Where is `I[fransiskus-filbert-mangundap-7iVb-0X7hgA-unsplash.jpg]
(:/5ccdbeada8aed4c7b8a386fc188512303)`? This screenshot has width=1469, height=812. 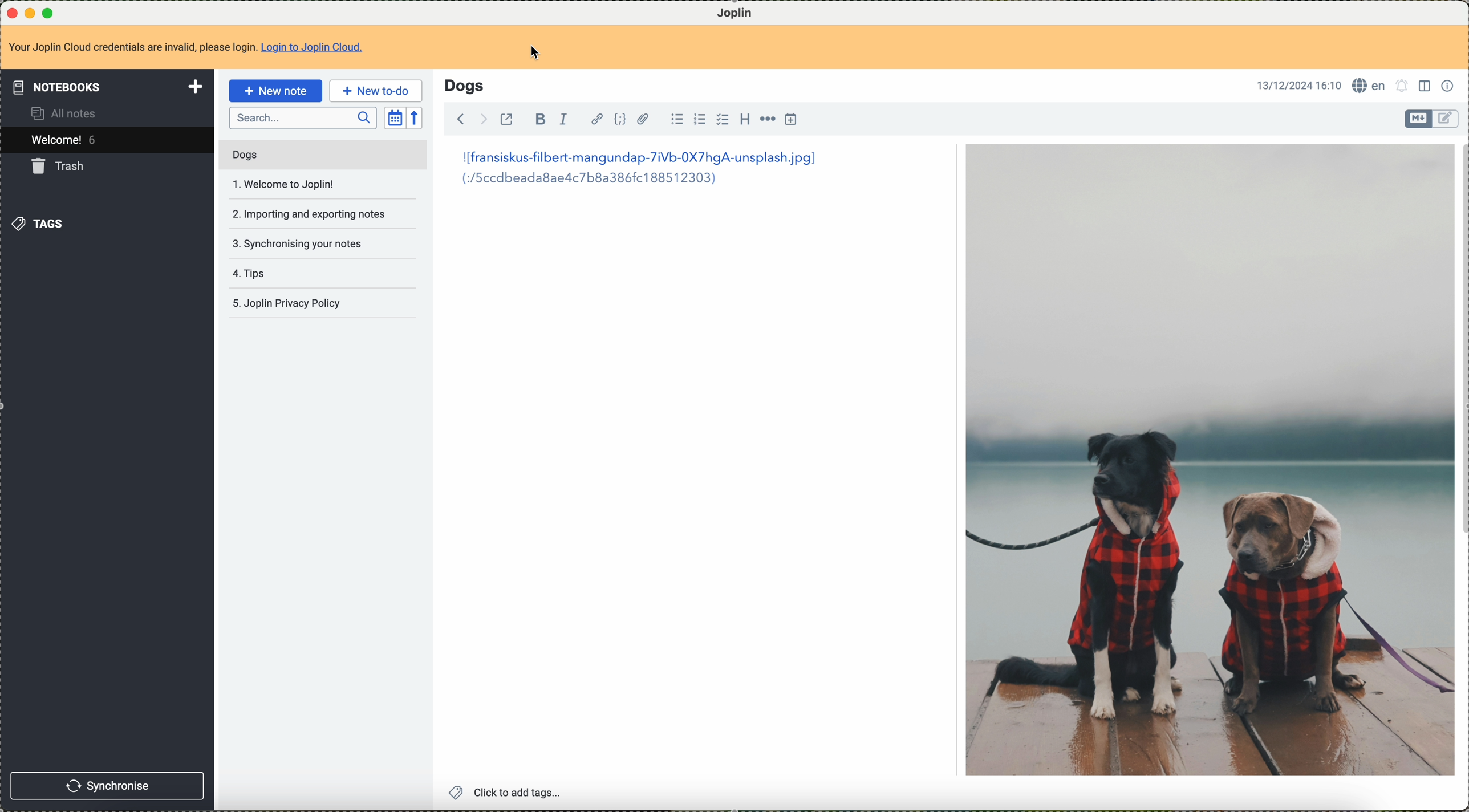 I[fransiskus-filbert-mangundap-7iVb-0X7hgA-unsplash.jpg]
(:/5ccdbeada8aed4c7b8a386fc188512303) is located at coordinates (647, 169).